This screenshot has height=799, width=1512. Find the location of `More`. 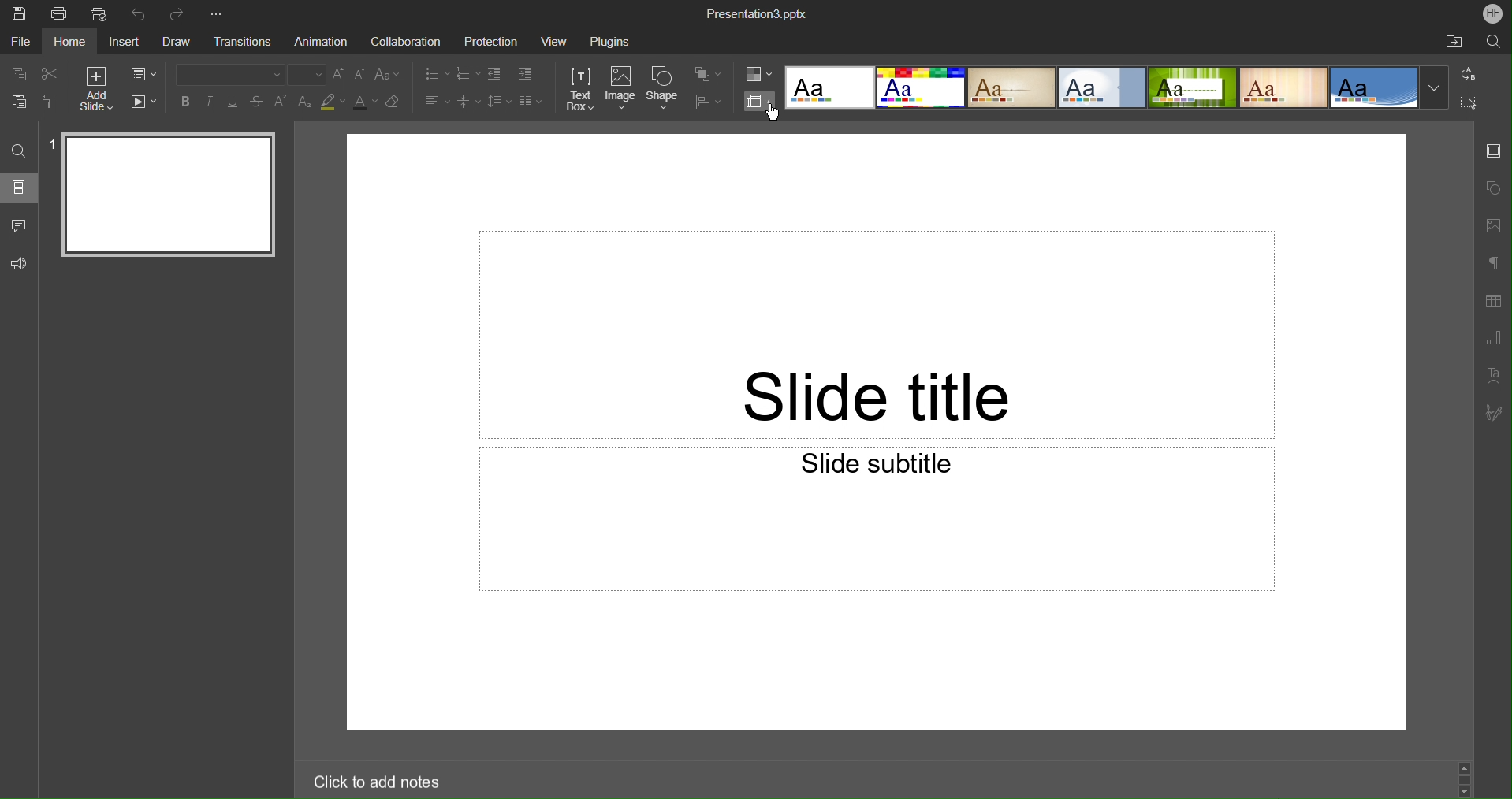

More is located at coordinates (220, 11).